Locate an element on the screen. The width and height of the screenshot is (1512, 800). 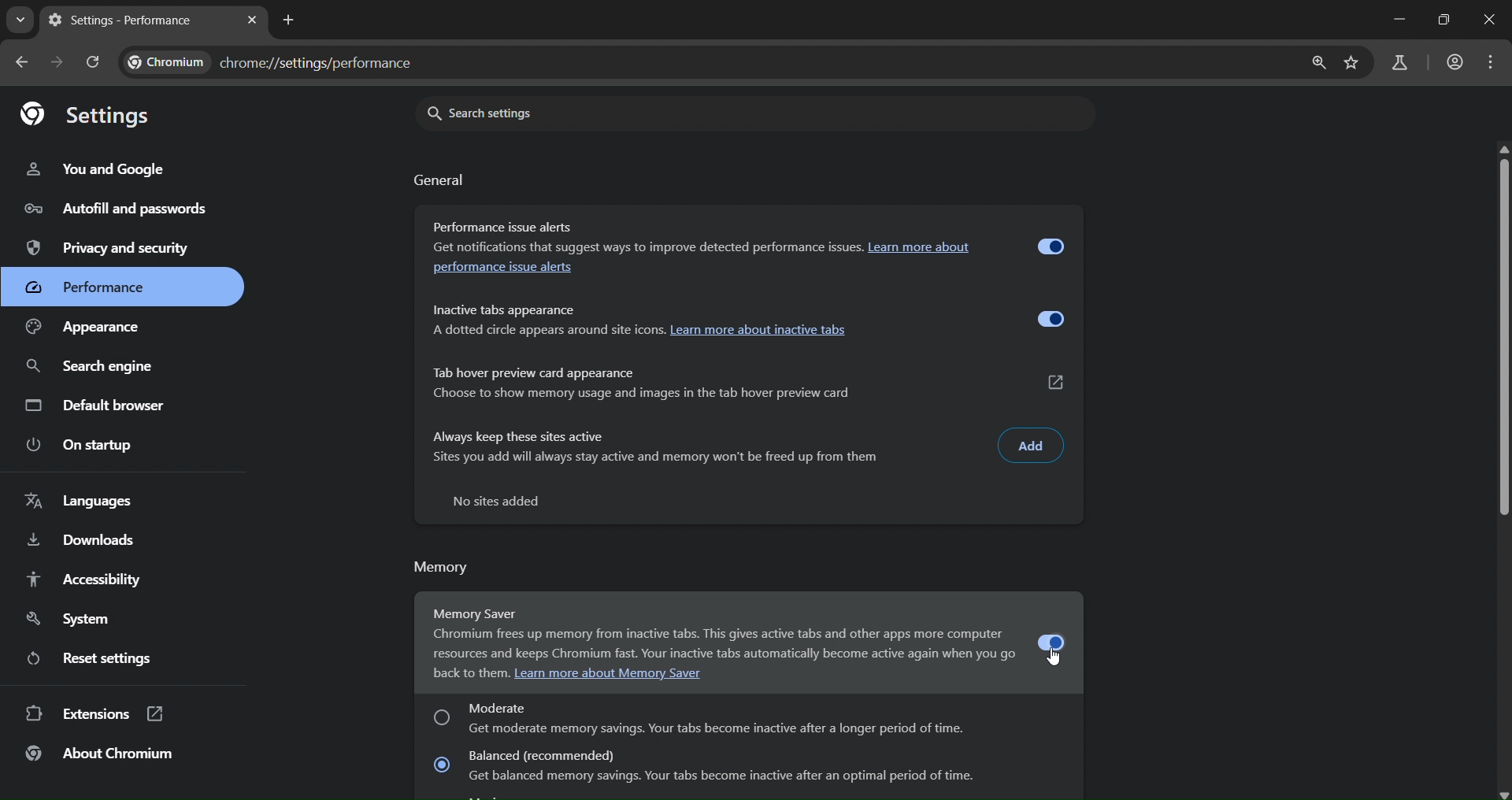
default engine is located at coordinates (102, 406).